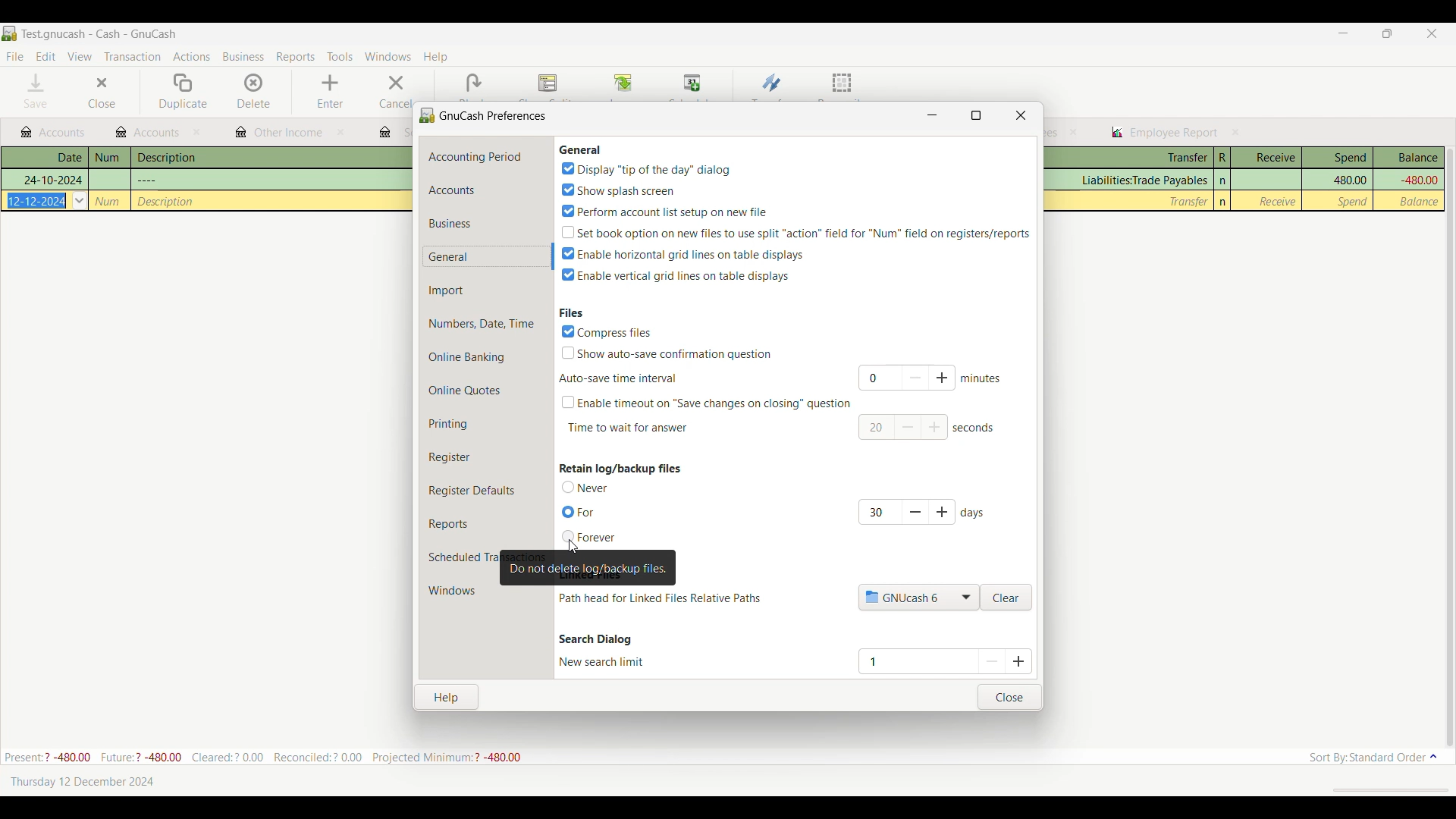 Image resolution: width=1456 pixels, height=819 pixels. I want to click on Blank, so click(473, 83).